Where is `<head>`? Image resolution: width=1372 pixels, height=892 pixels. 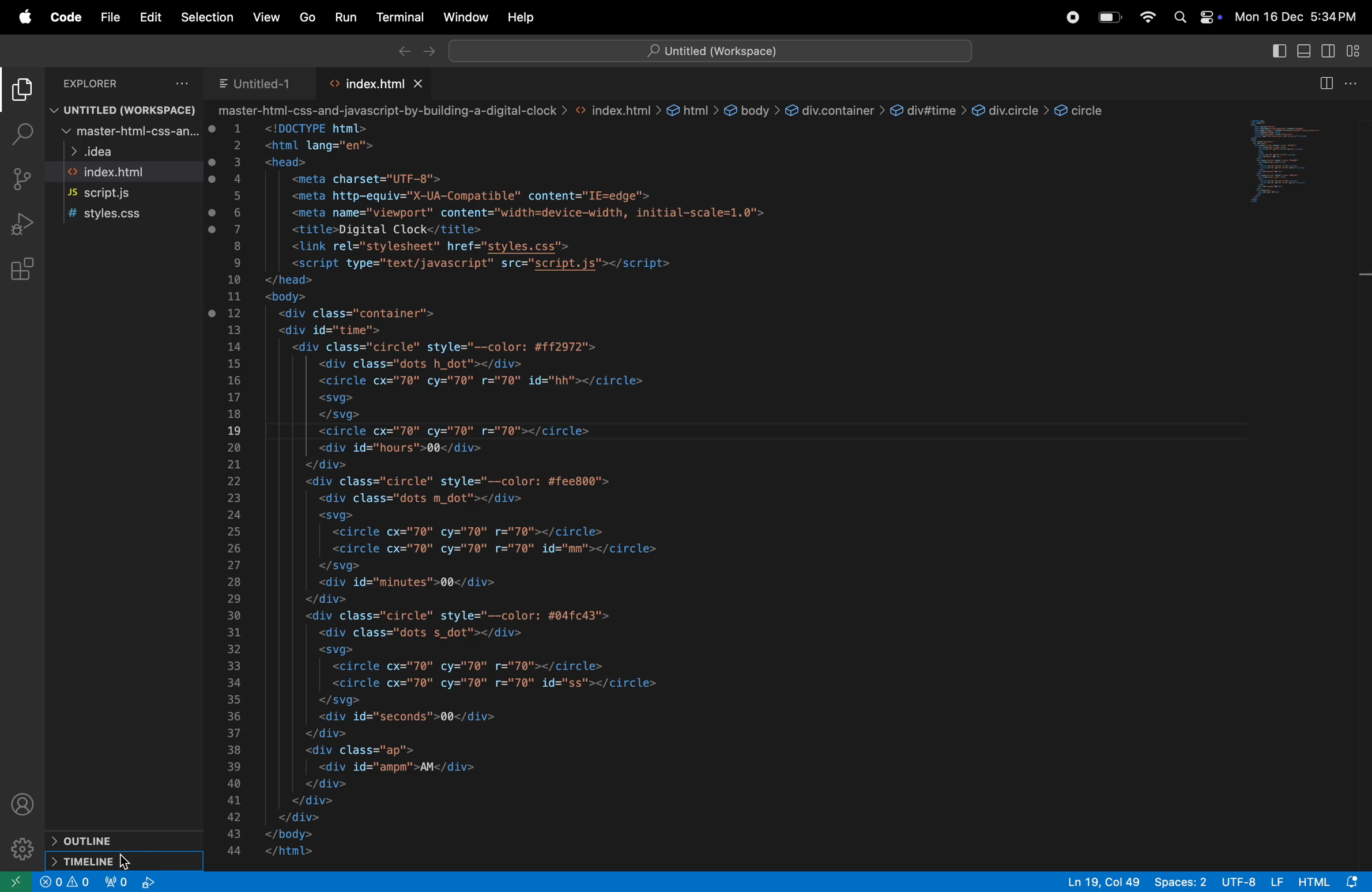
<head> is located at coordinates (291, 162).